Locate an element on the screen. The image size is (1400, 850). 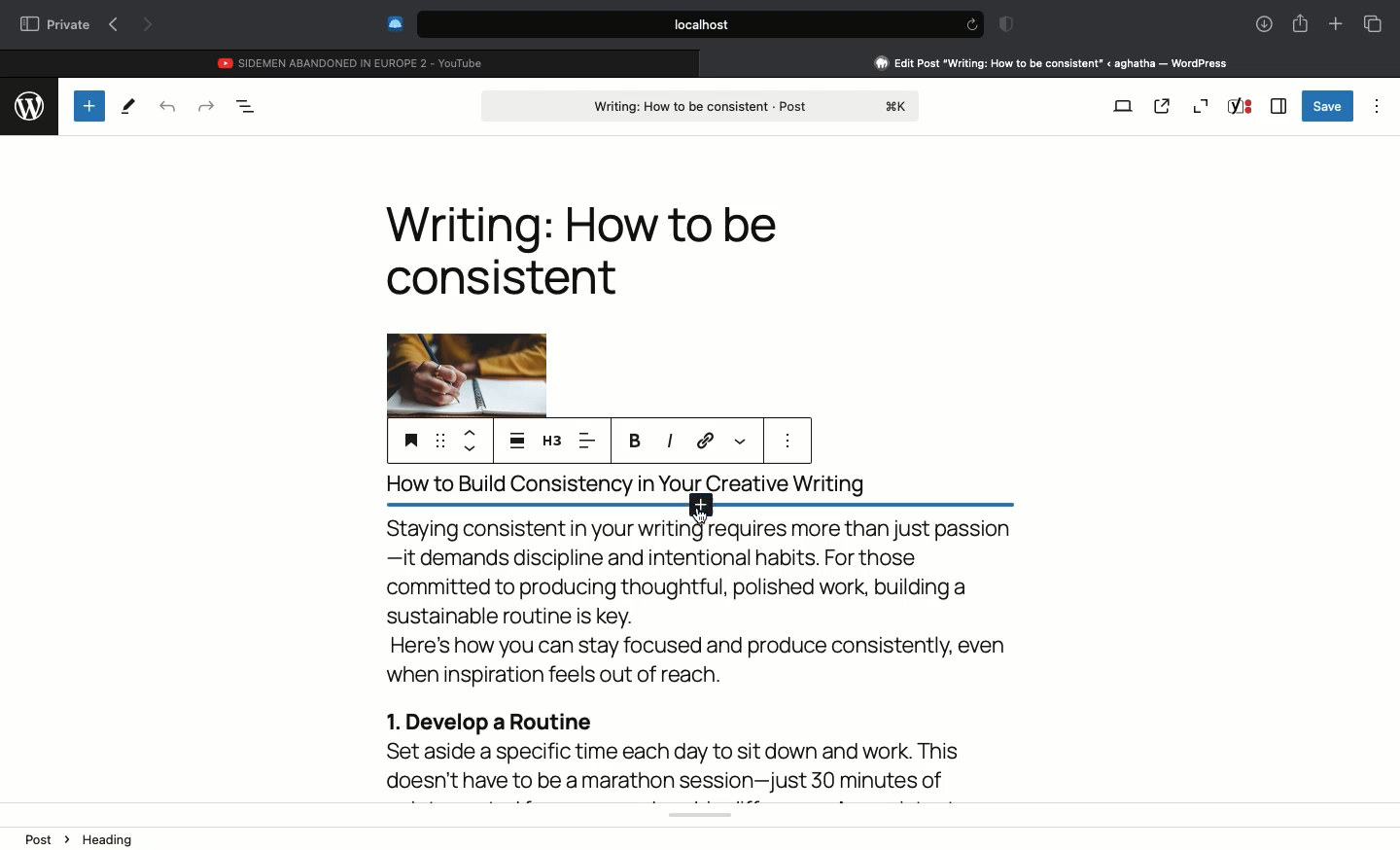
H3 is located at coordinates (552, 441).